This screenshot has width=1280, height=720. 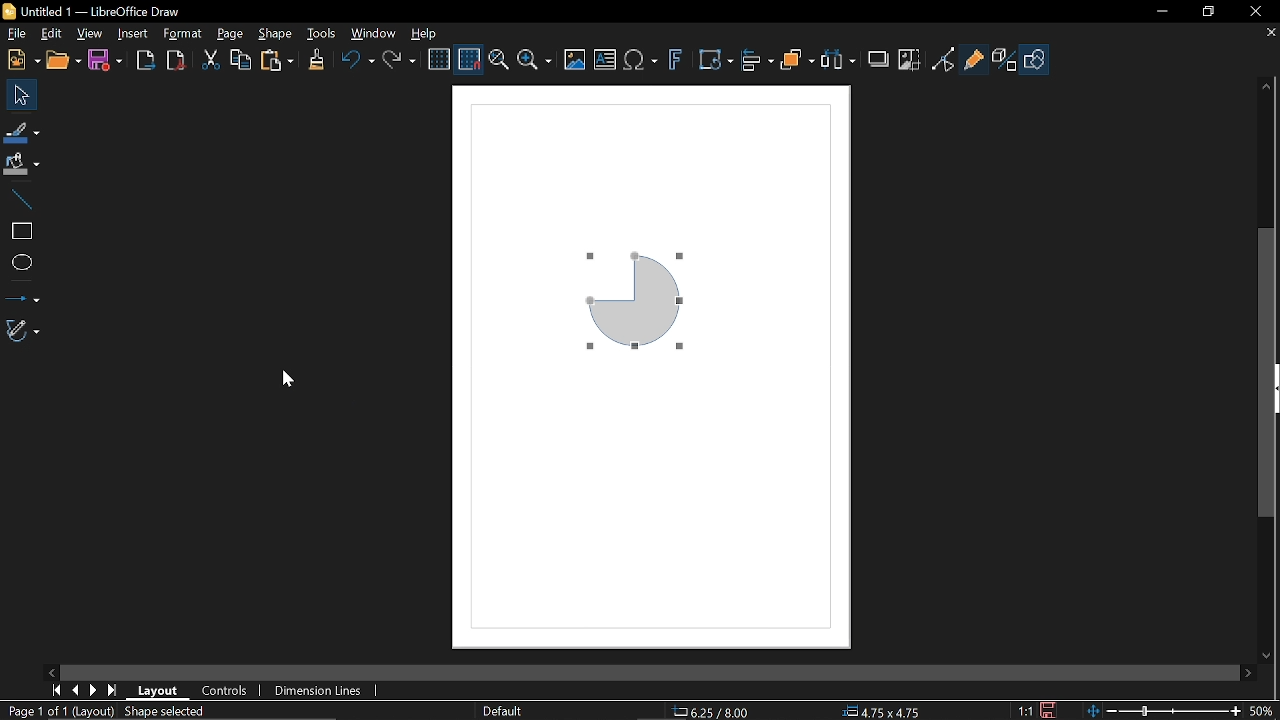 What do you see at coordinates (1267, 371) in the screenshot?
I see `Vertical scrollbar` at bounding box center [1267, 371].